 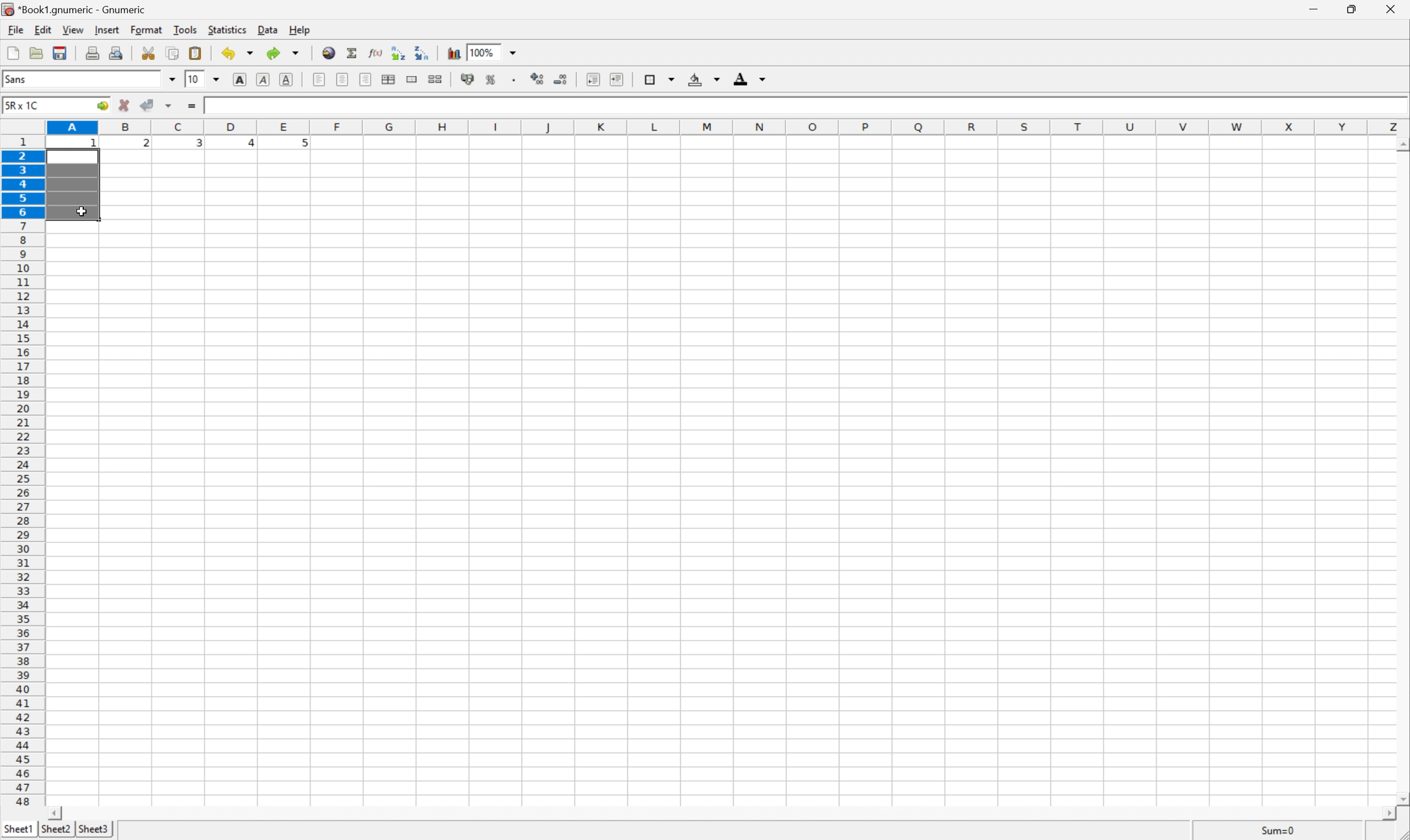 I want to click on accept changes, so click(x=148, y=105).